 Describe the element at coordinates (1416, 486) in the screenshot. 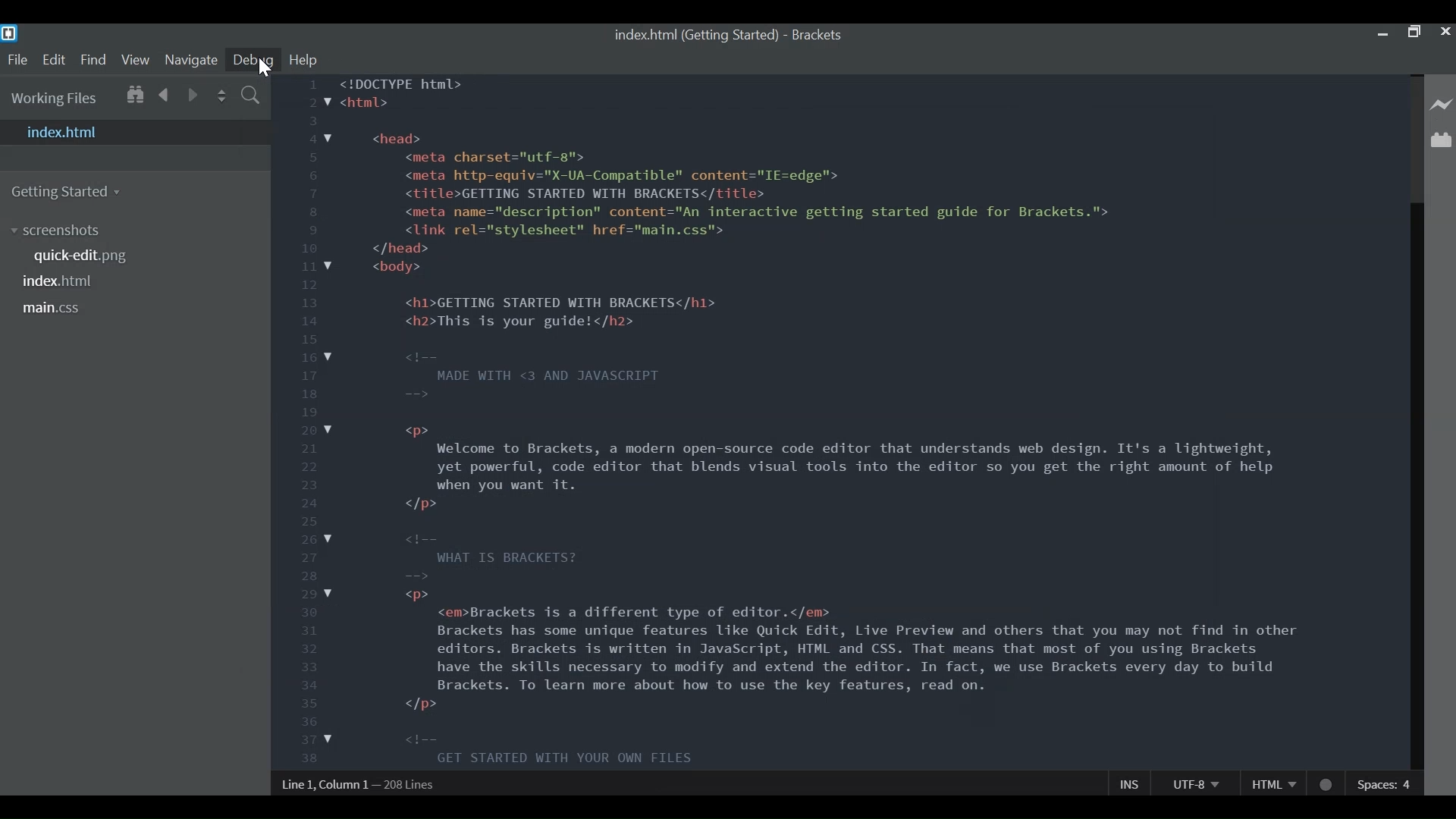

I see `Vertical Scroll bar` at that location.